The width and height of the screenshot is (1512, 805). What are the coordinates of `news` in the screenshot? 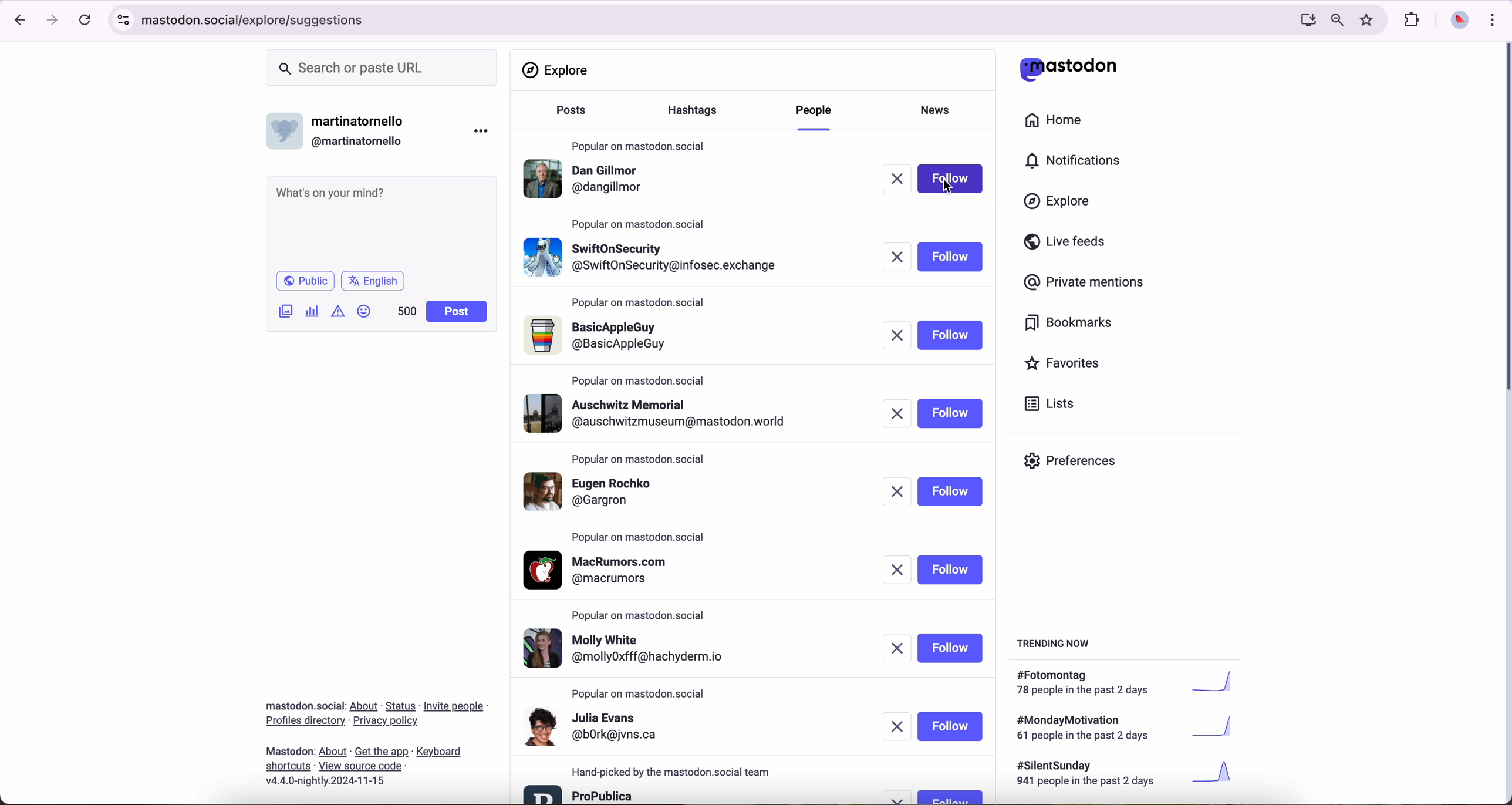 It's located at (939, 109).